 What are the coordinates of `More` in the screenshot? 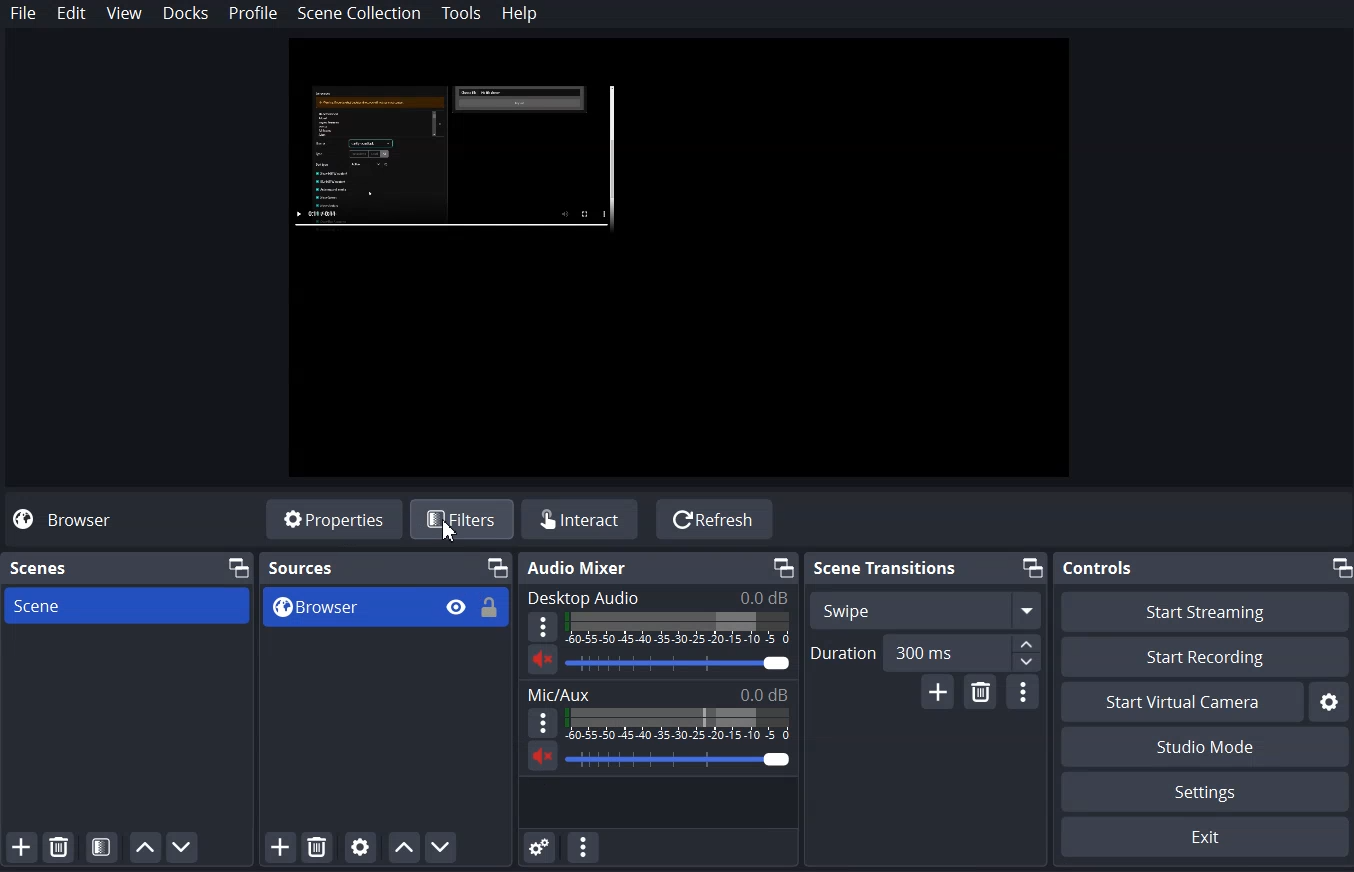 It's located at (543, 626).